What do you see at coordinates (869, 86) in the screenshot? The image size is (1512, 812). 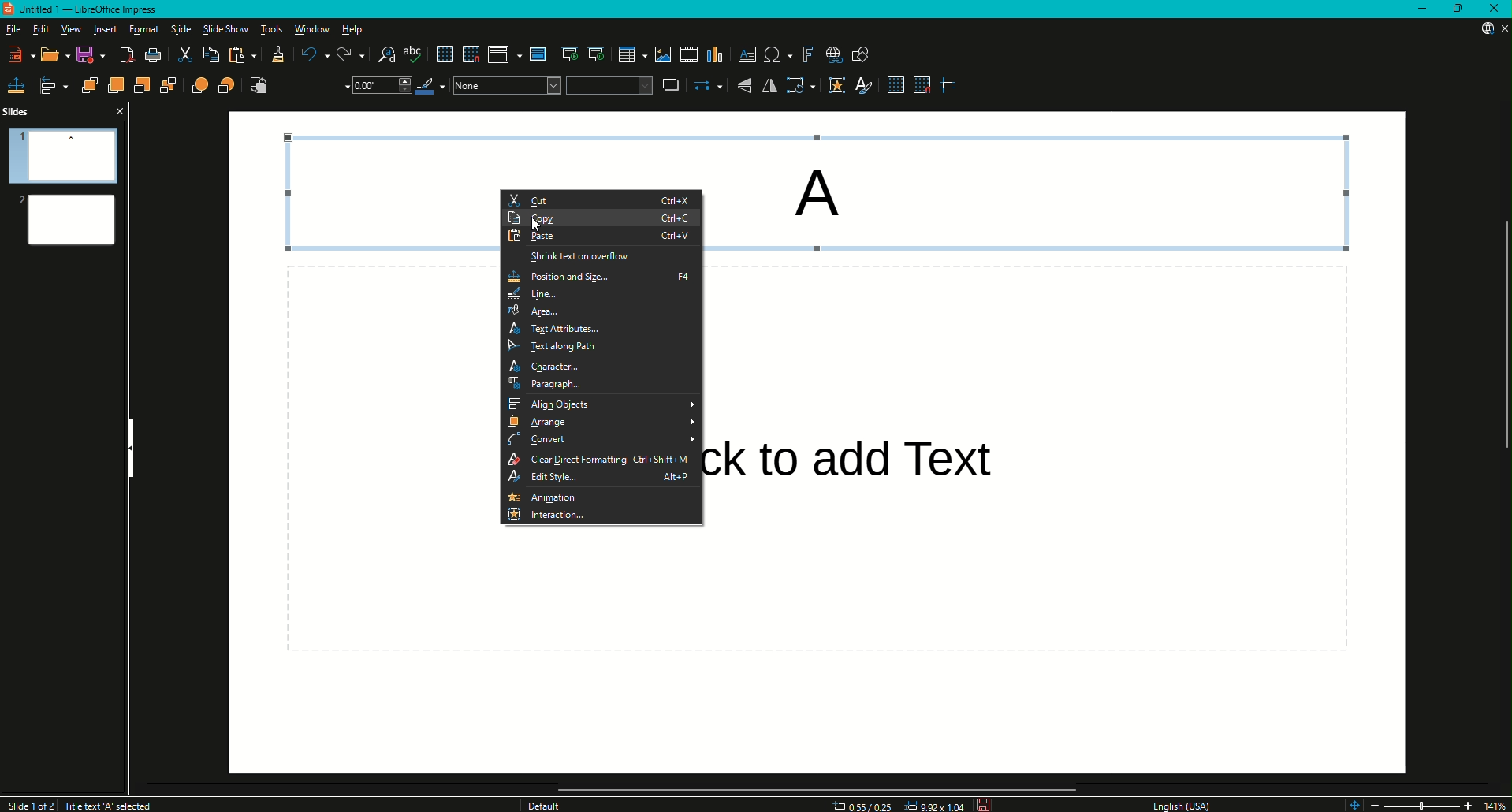 I see `Show Styles Sidebar` at bounding box center [869, 86].